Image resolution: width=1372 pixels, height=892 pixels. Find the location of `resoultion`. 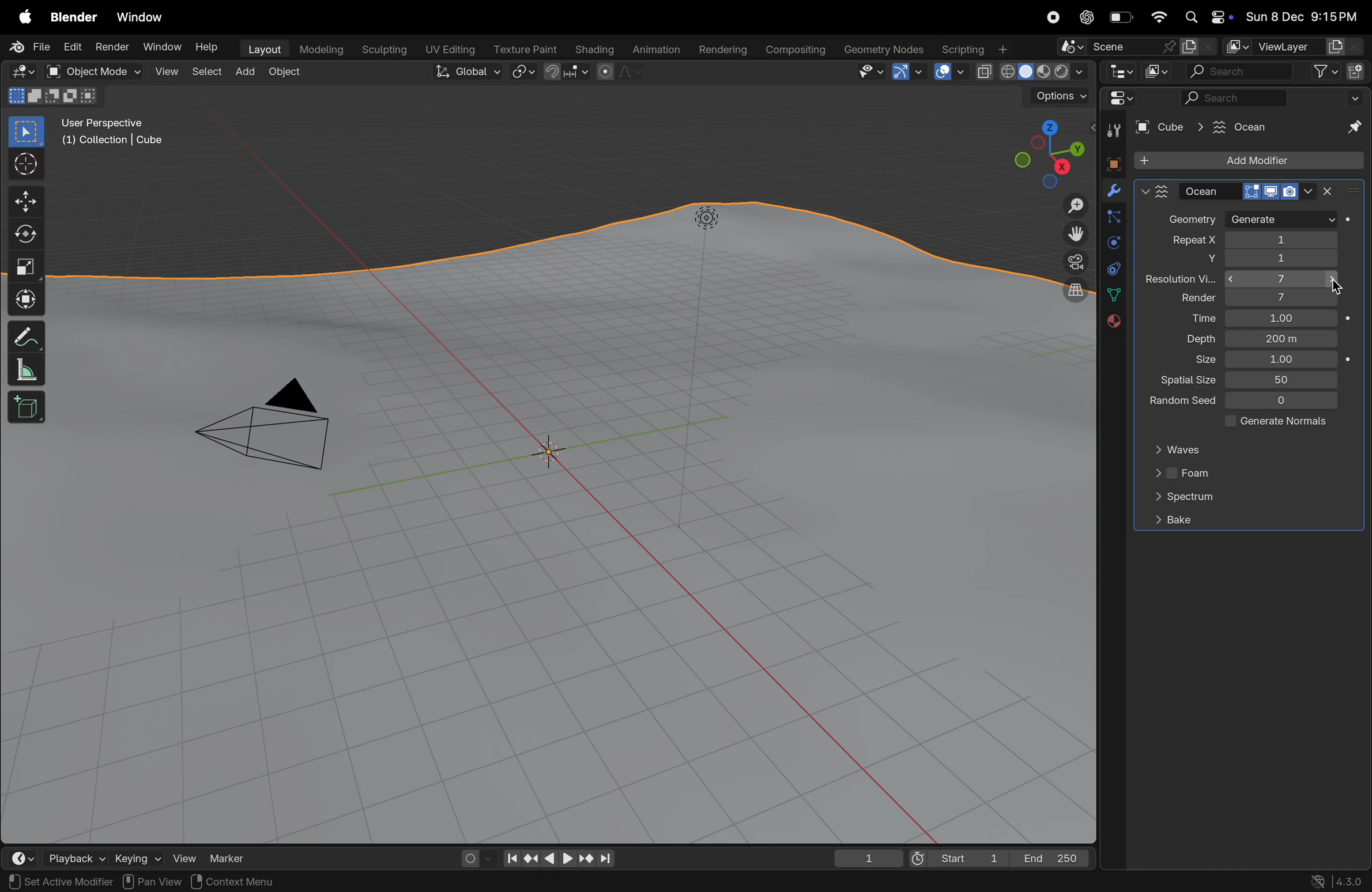

resoultion is located at coordinates (1181, 279).